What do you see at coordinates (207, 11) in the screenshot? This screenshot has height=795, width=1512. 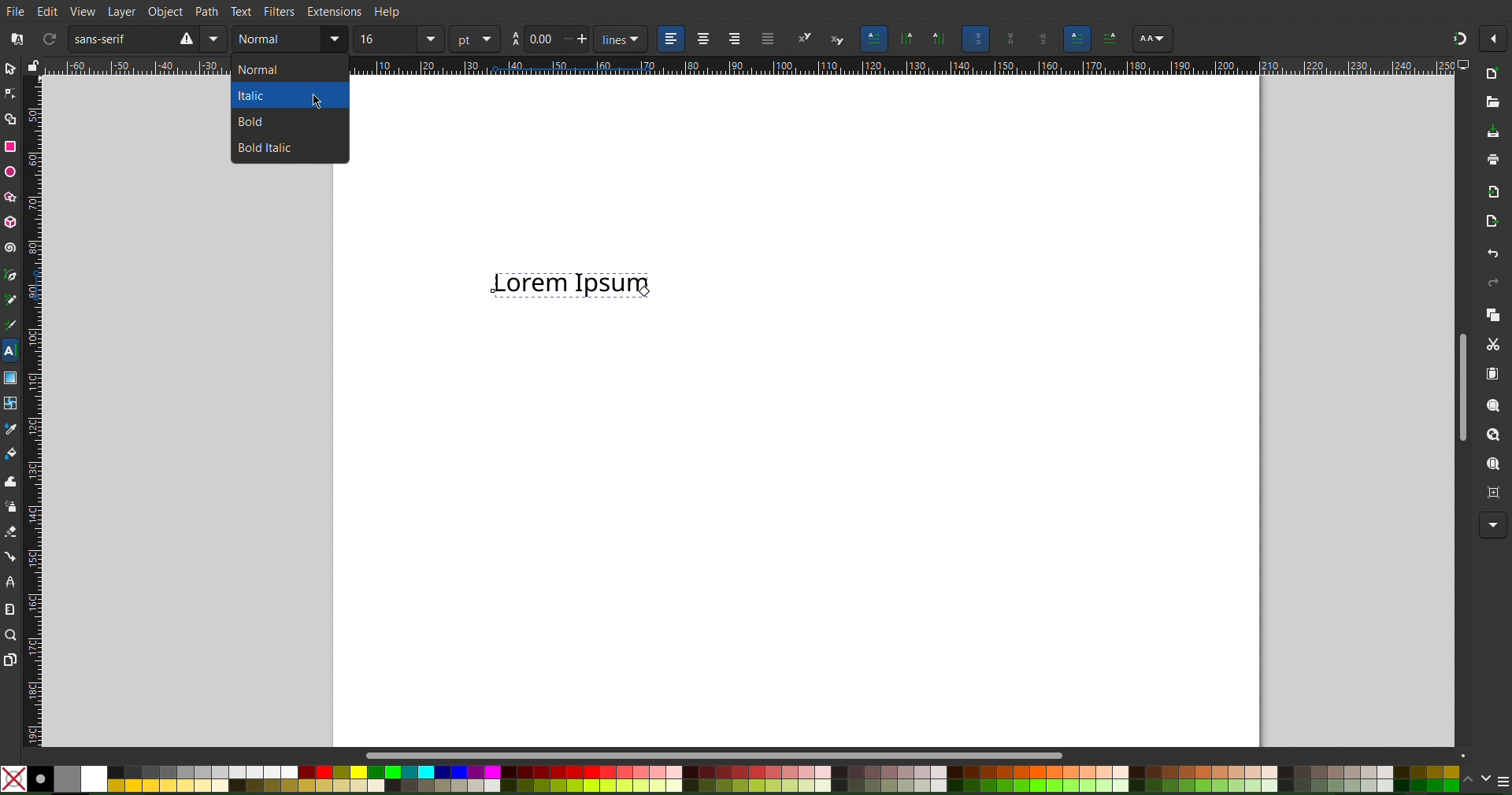 I see `Path` at bounding box center [207, 11].